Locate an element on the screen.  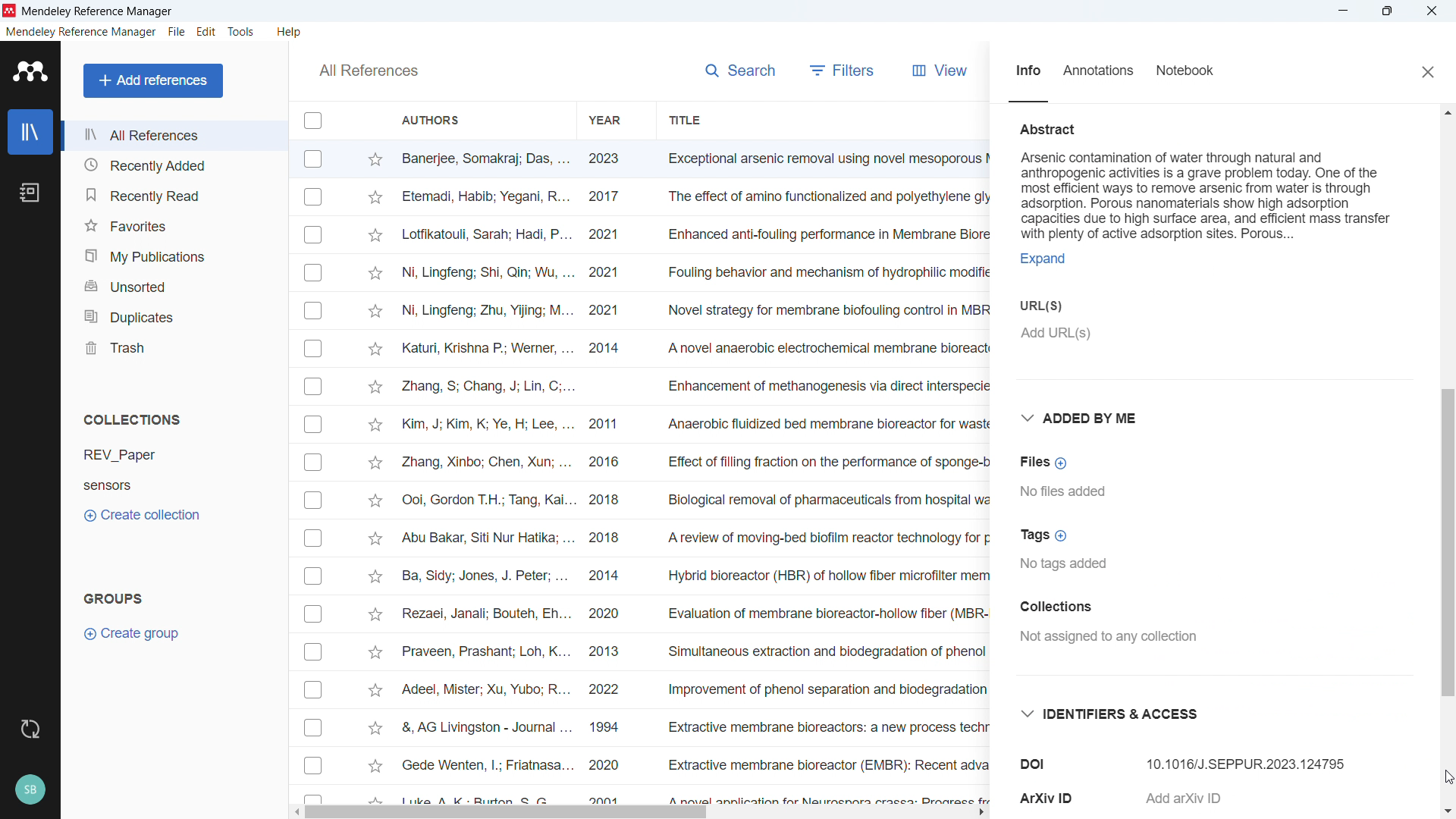
View  is located at coordinates (944, 73).